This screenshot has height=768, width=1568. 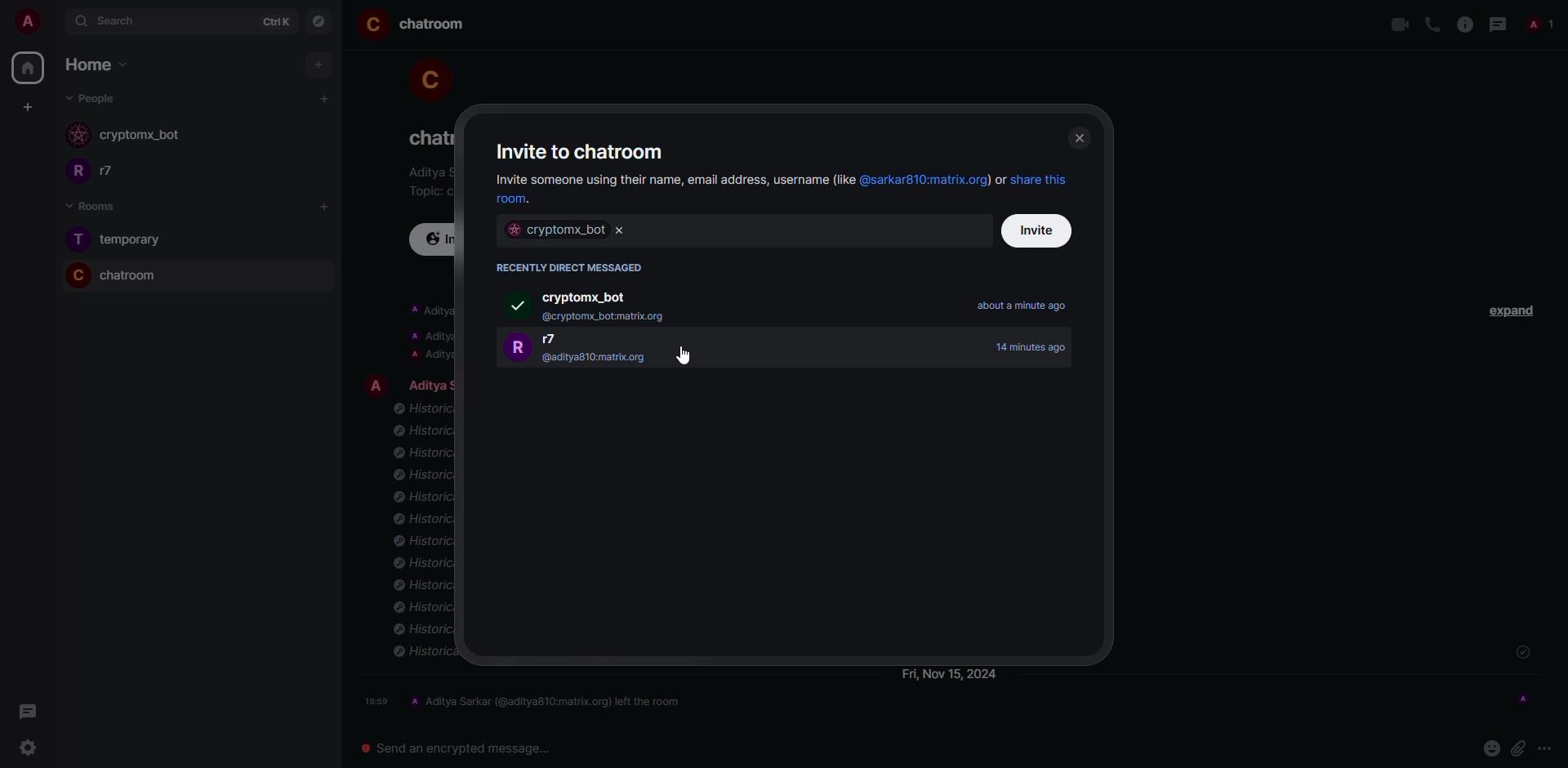 What do you see at coordinates (1537, 26) in the screenshot?
I see `people` at bounding box center [1537, 26].